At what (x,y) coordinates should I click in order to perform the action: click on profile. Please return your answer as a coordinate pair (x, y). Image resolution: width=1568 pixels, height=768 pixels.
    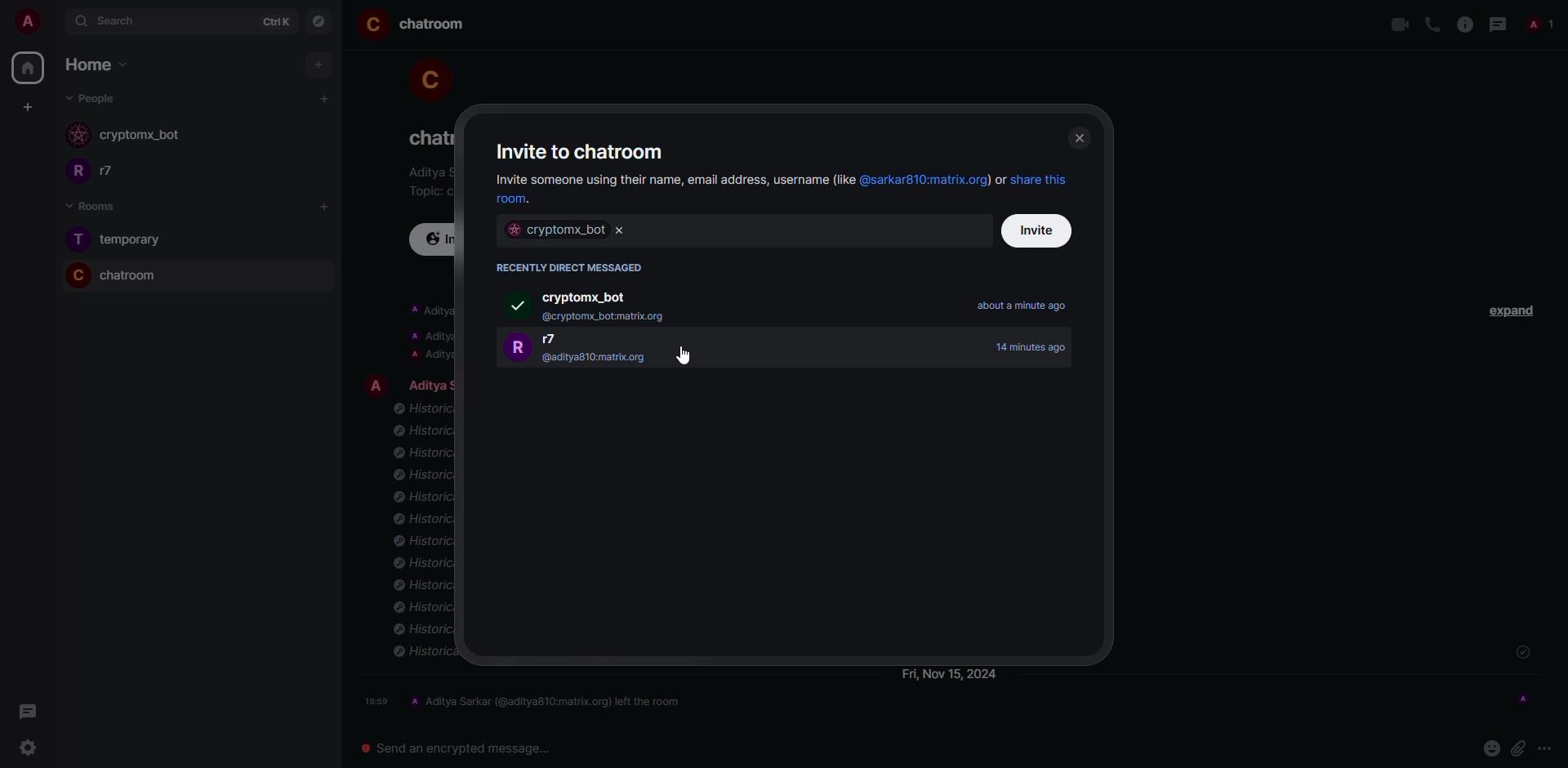
    Looking at the image, I should click on (74, 275).